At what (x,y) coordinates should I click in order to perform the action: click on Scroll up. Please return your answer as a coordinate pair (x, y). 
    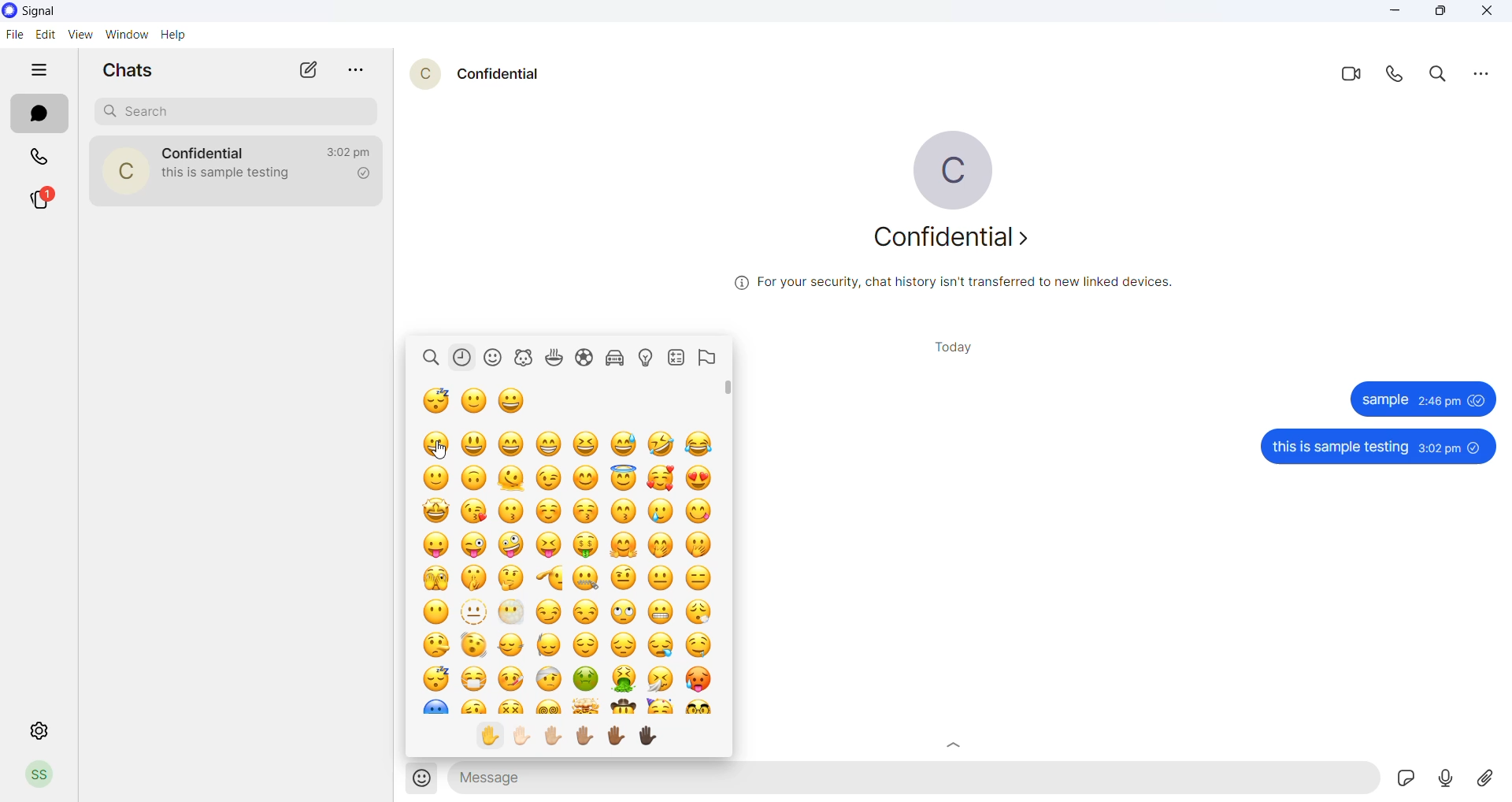
    Looking at the image, I should click on (956, 744).